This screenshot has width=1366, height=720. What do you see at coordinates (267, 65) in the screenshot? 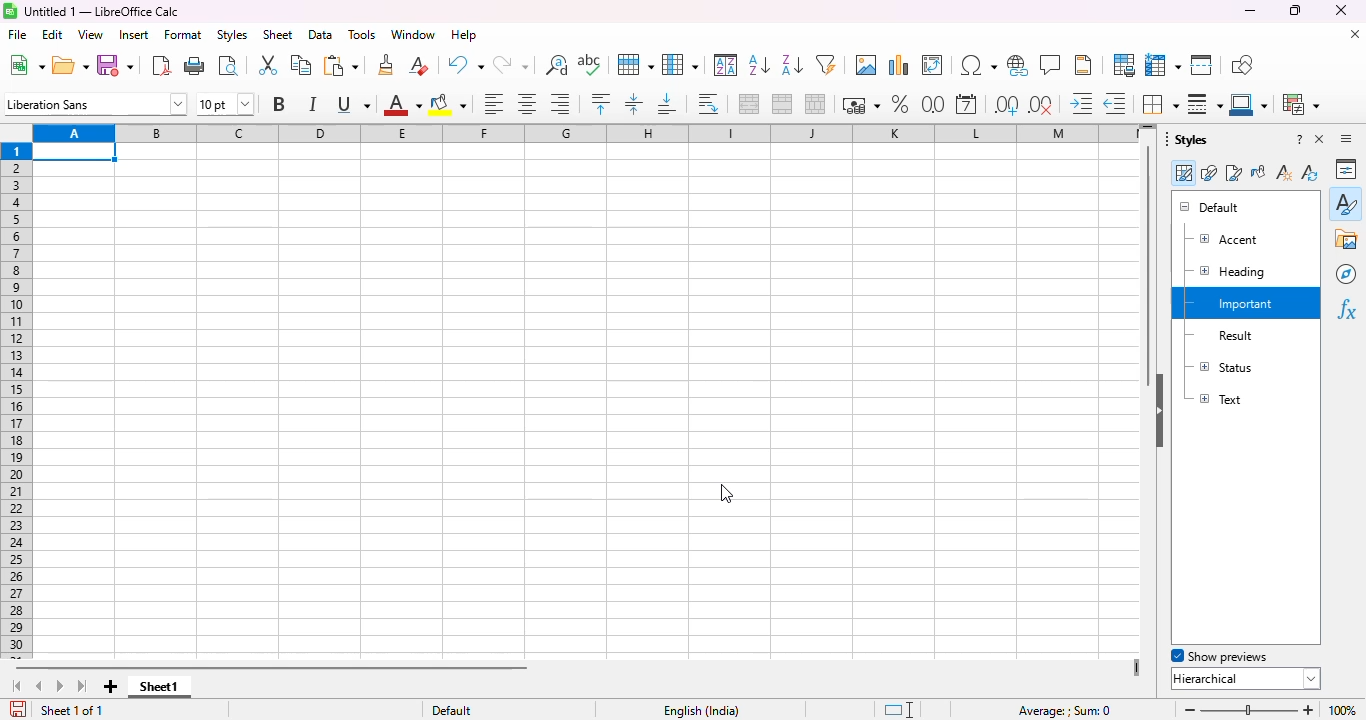
I see `cut` at bounding box center [267, 65].